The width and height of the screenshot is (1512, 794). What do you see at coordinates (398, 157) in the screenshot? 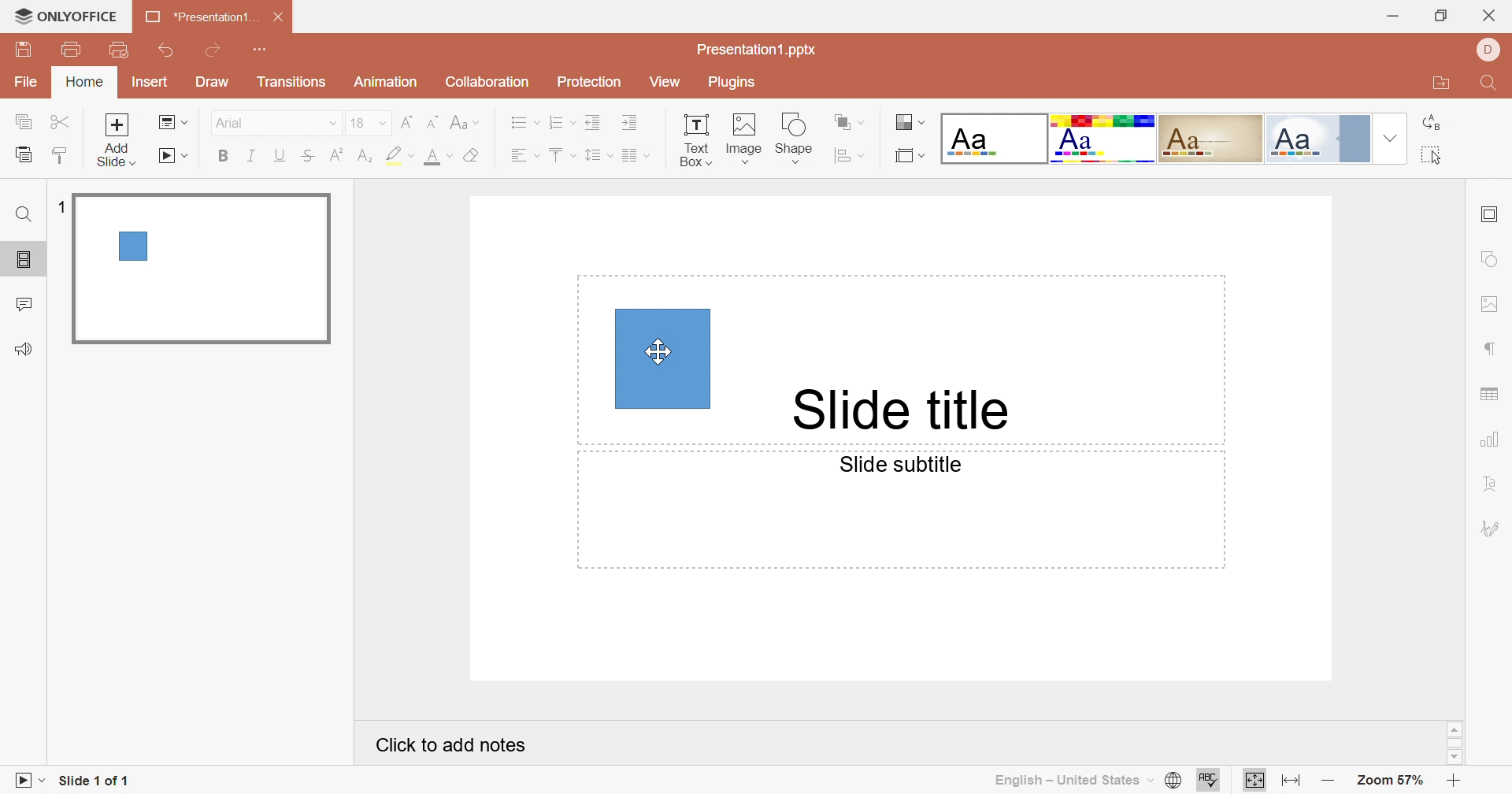
I see `Highlight color` at bounding box center [398, 157].